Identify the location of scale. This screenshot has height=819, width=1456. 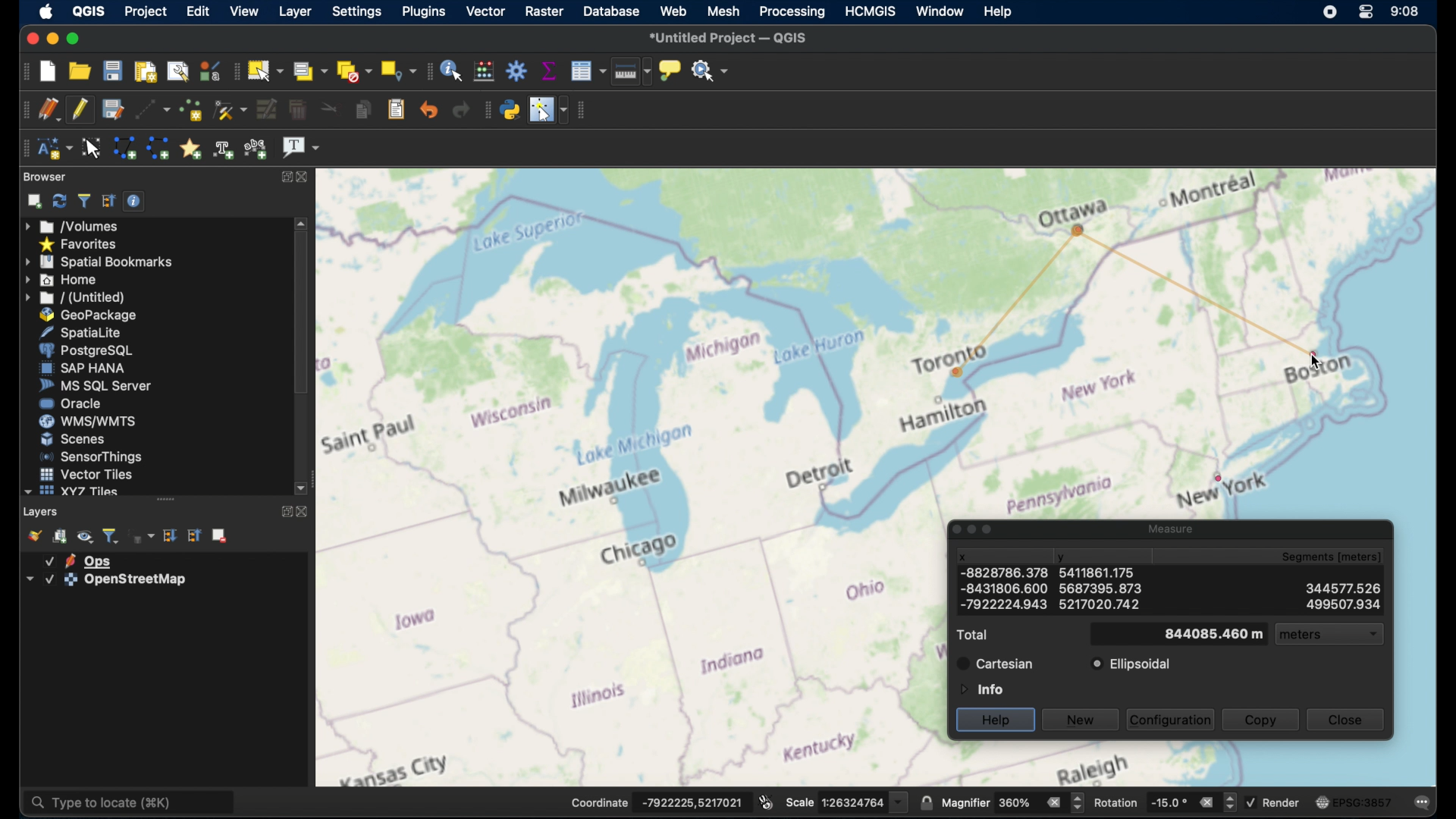
(846, 801).